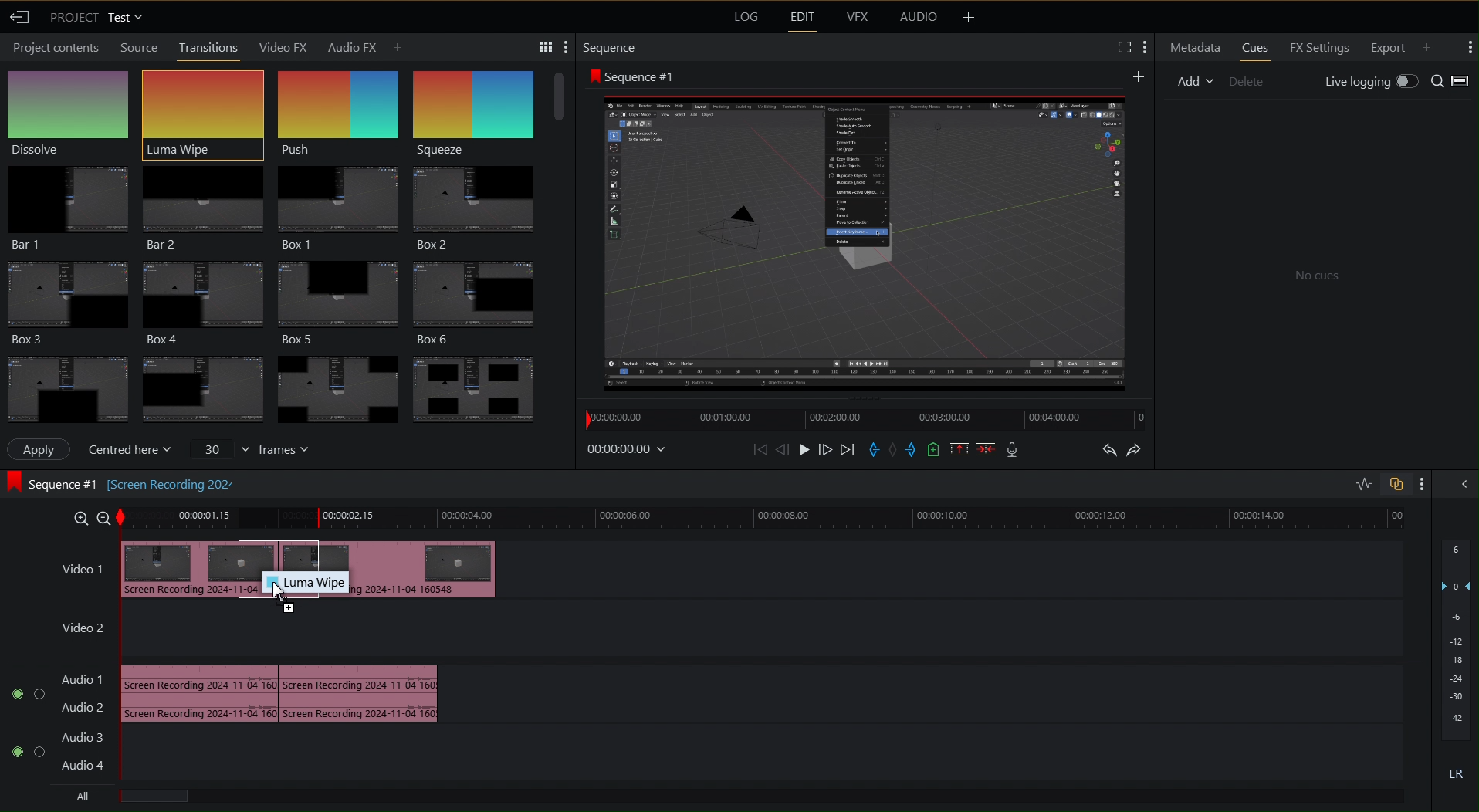  Describe the element at coordinates (201, 107) in the screenshot. I see `Luna Wipe` at that location.